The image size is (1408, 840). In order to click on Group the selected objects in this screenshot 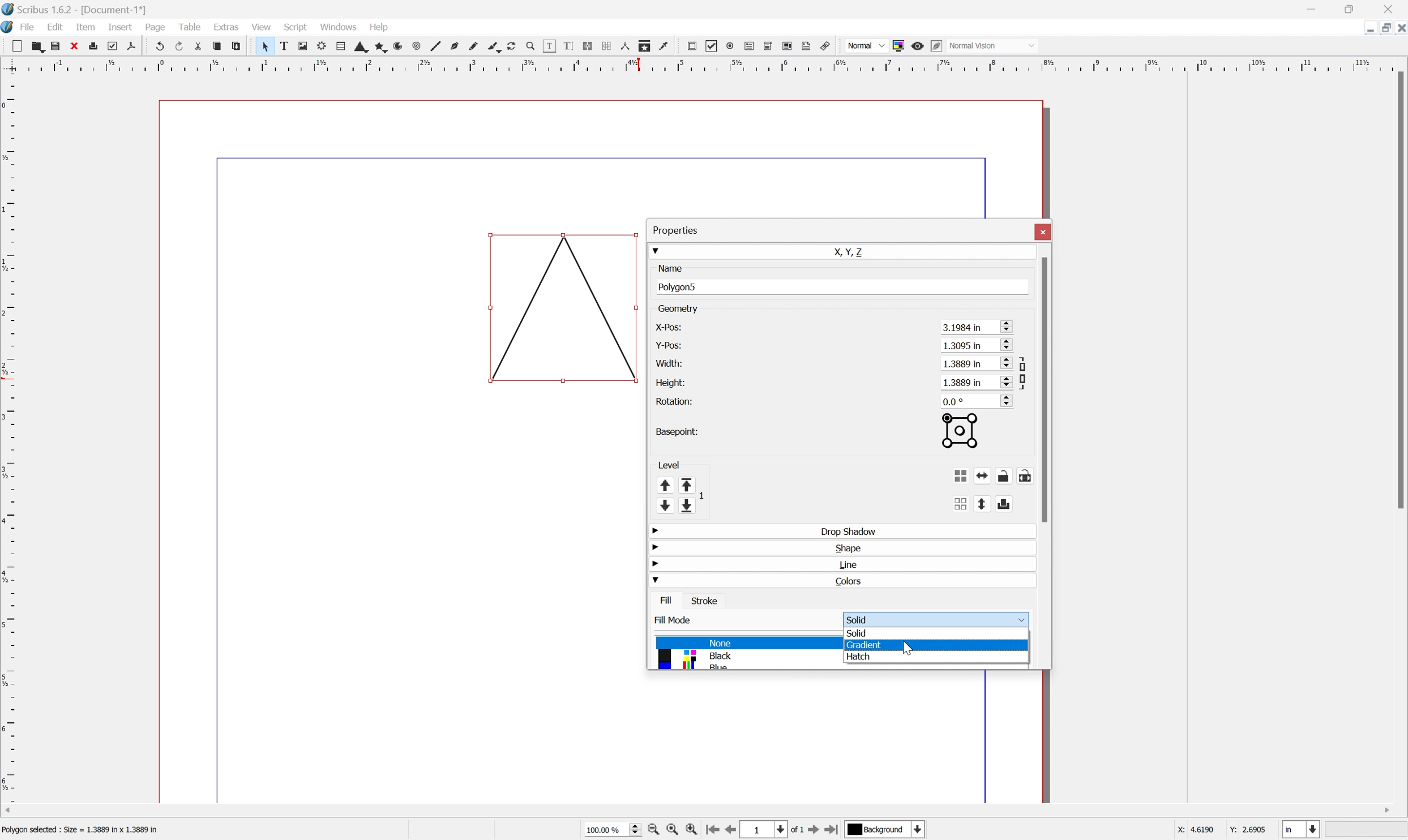, I will do `click(975, 474)`.